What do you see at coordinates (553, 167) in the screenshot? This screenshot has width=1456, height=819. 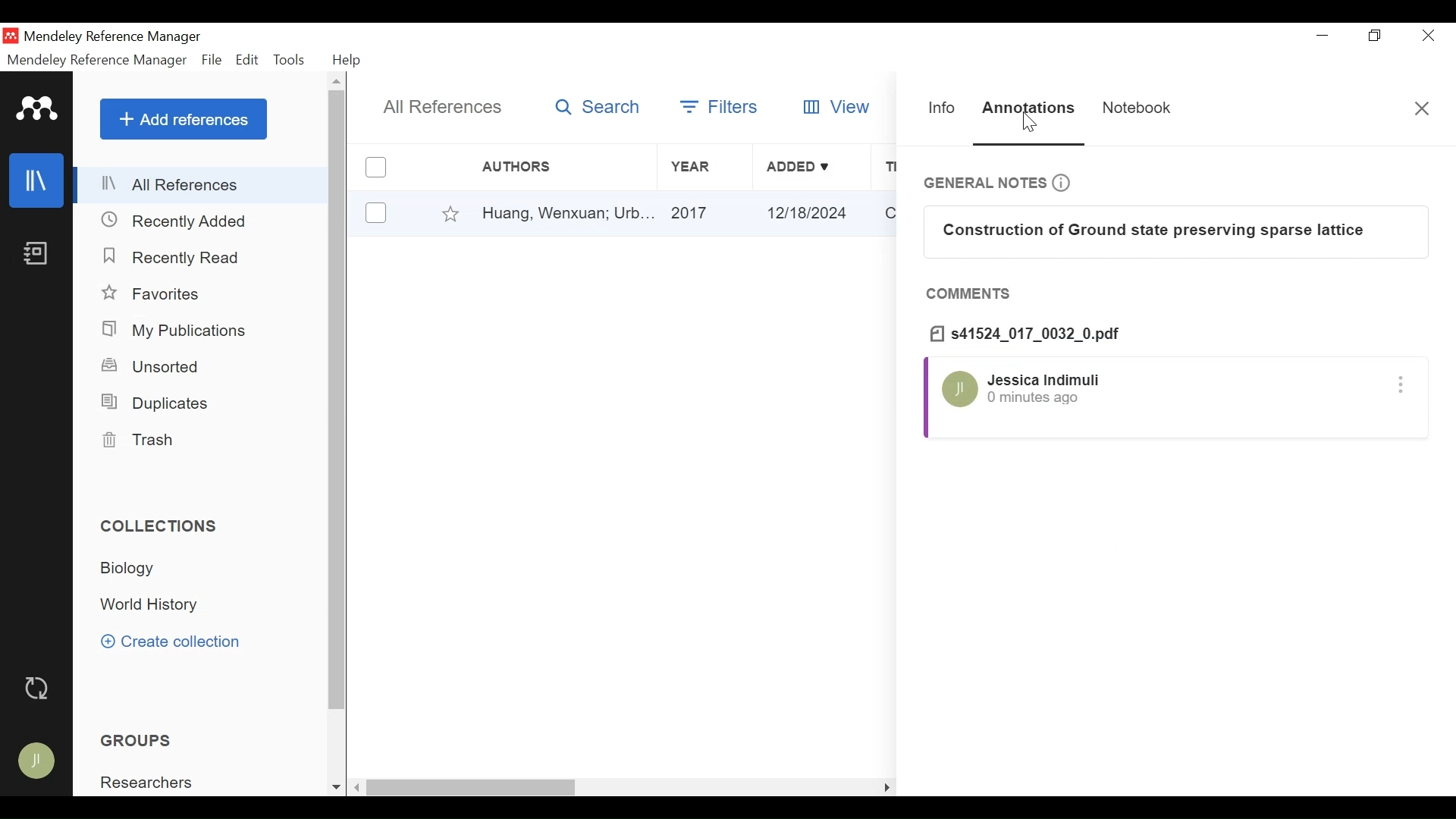 I see `Author` at bounding box center [553, 167].